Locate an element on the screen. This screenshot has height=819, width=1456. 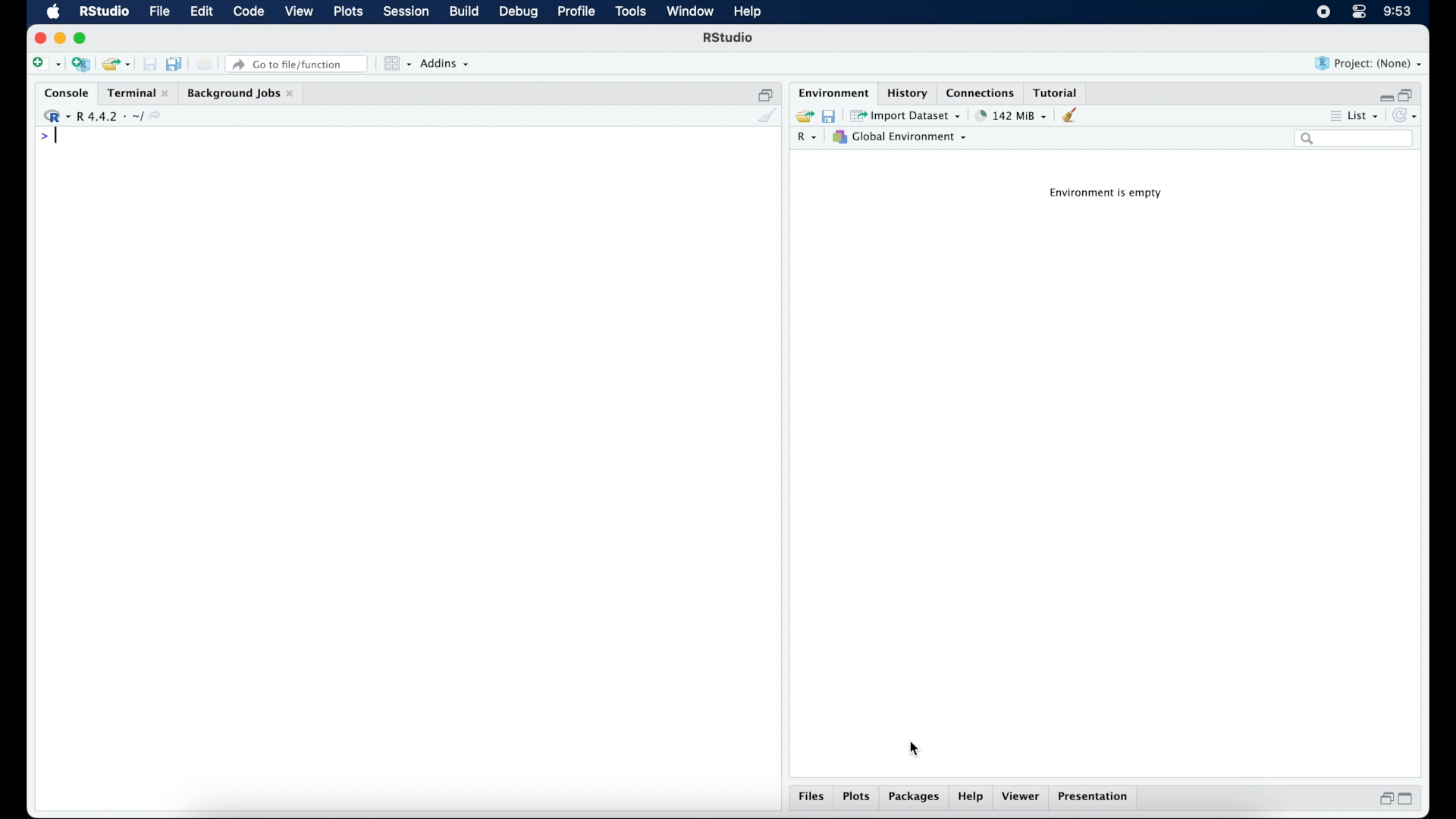
create a project is located at coordinates (82, 64).